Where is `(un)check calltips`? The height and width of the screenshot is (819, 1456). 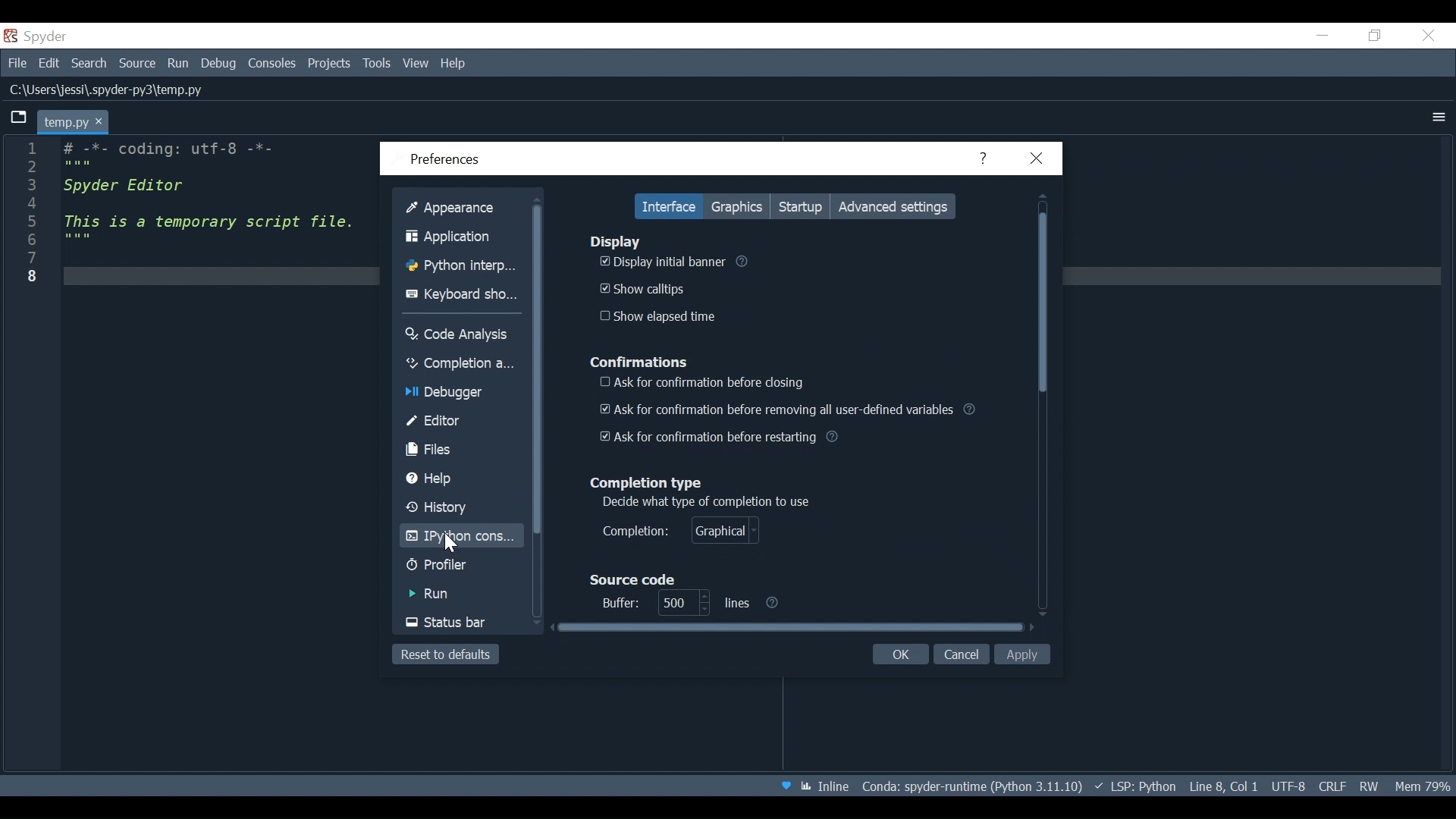
(un)check calltips is located at coordinates (645, 287).